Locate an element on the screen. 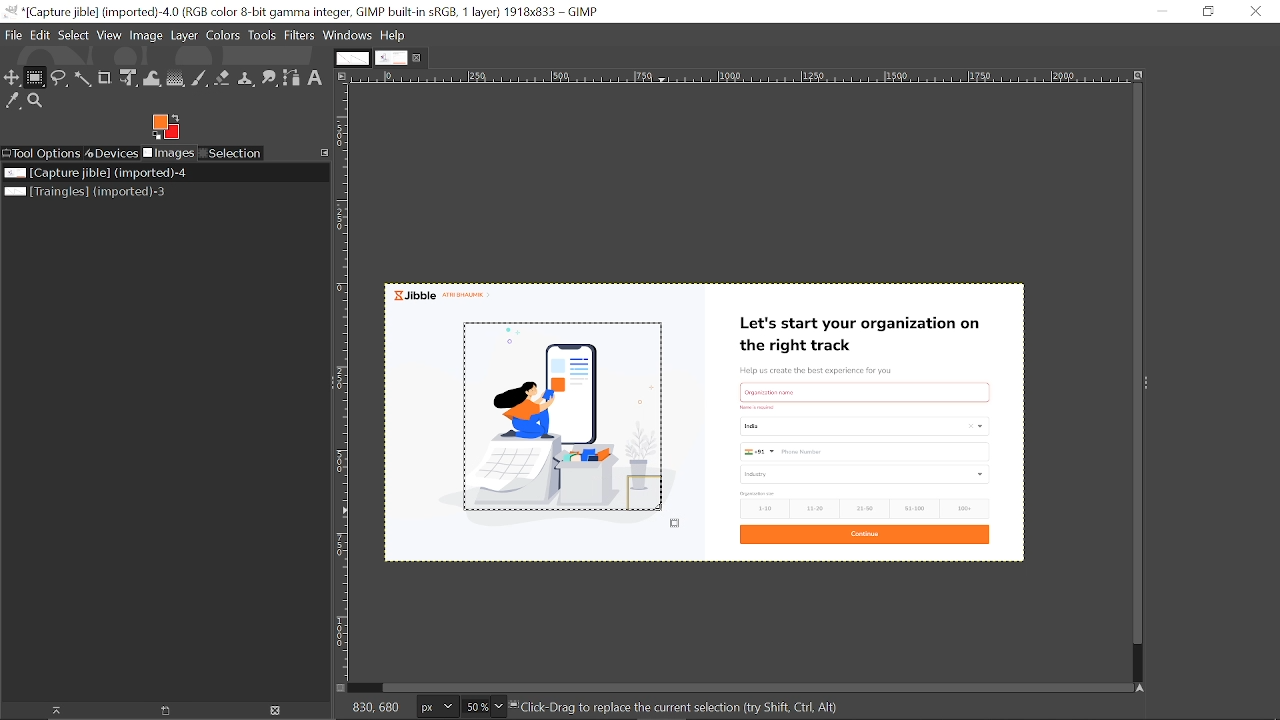  Navigate the image's display is located at coordinates (1142, 687).